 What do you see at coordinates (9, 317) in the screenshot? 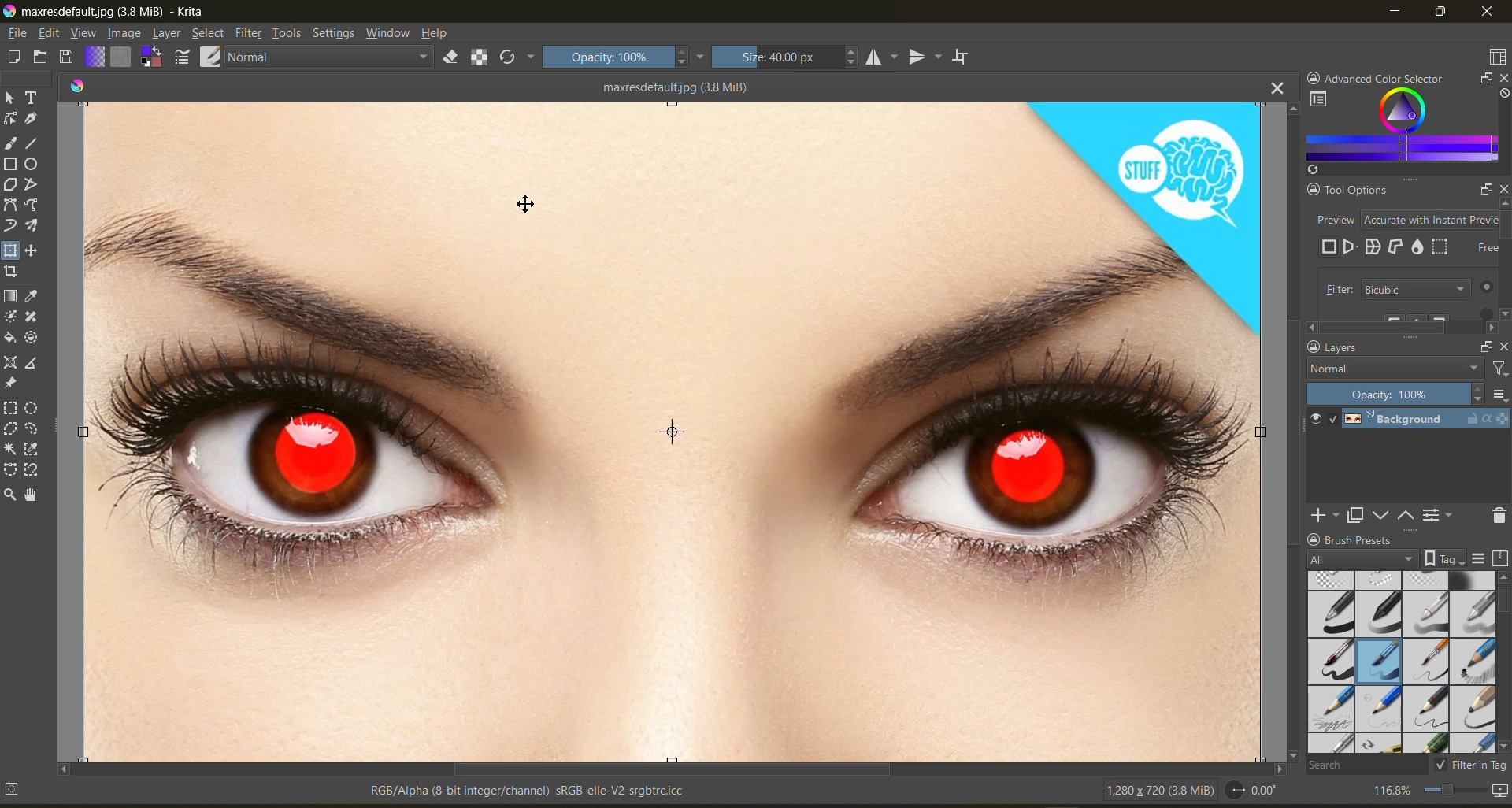
I see `tool` at bounding box center [9, 317].